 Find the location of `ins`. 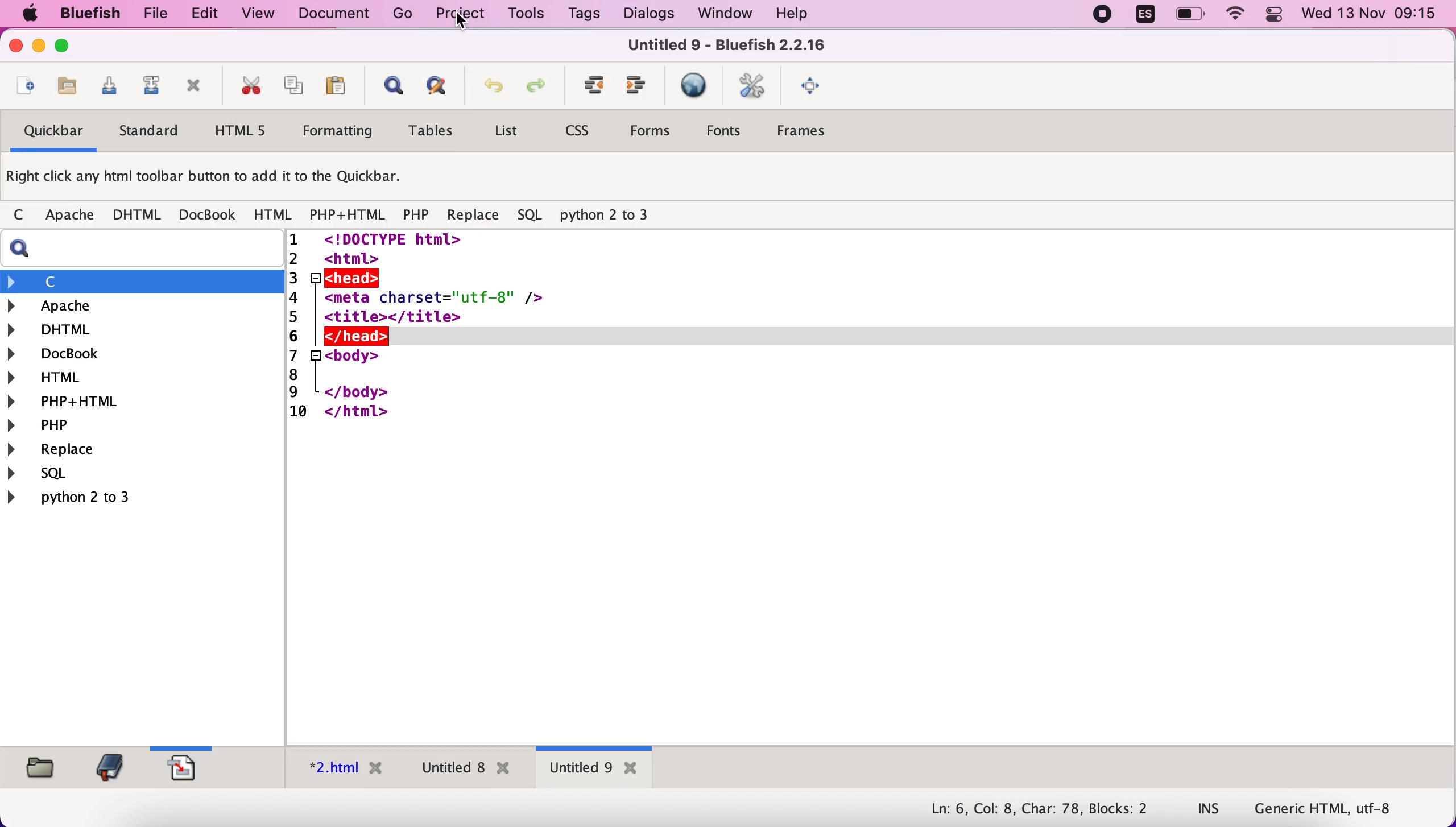

ins is located at coordinates (1209, 810).